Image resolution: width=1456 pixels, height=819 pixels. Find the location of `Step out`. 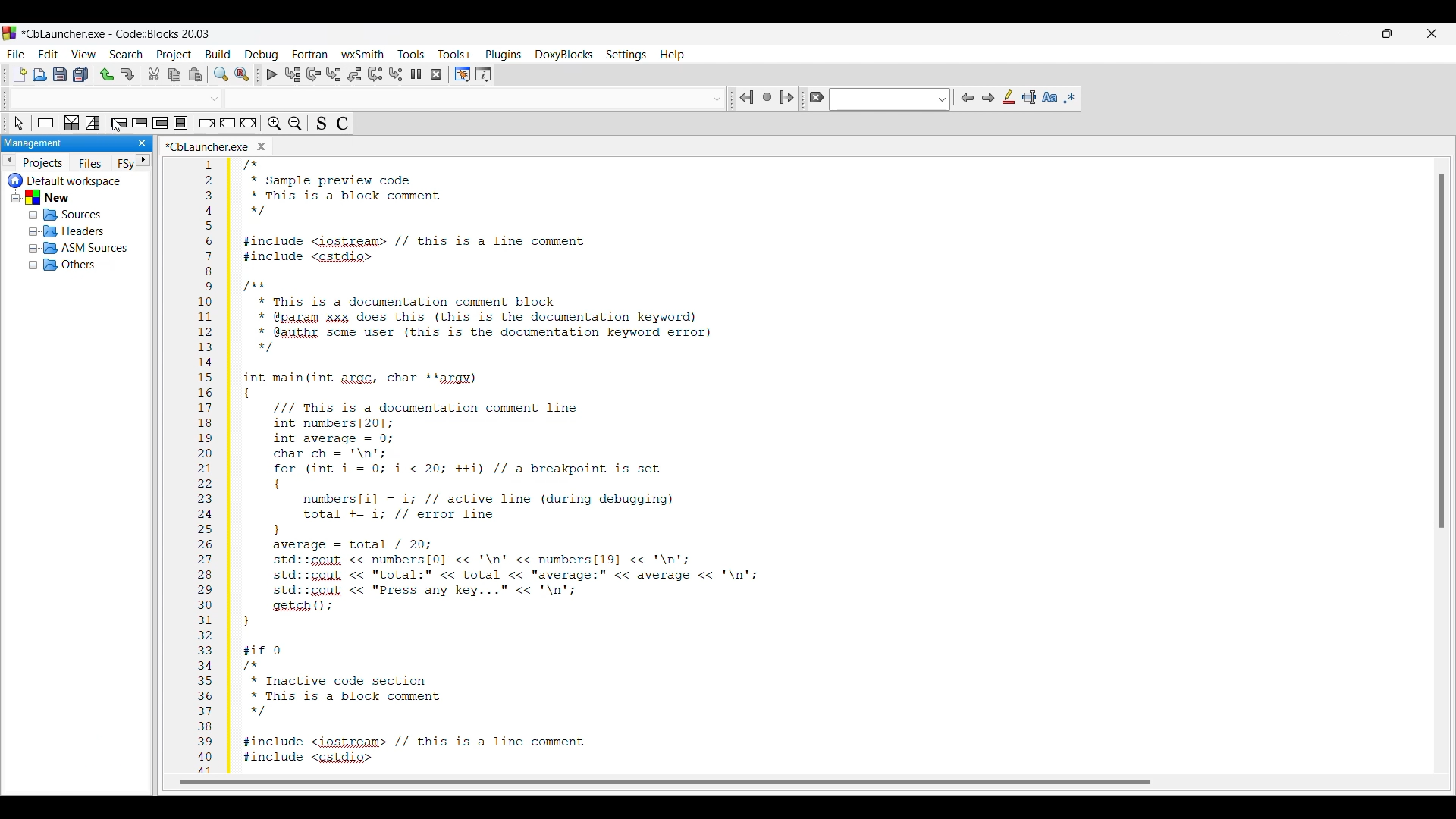

Step out is located at coordinates (354, 74).